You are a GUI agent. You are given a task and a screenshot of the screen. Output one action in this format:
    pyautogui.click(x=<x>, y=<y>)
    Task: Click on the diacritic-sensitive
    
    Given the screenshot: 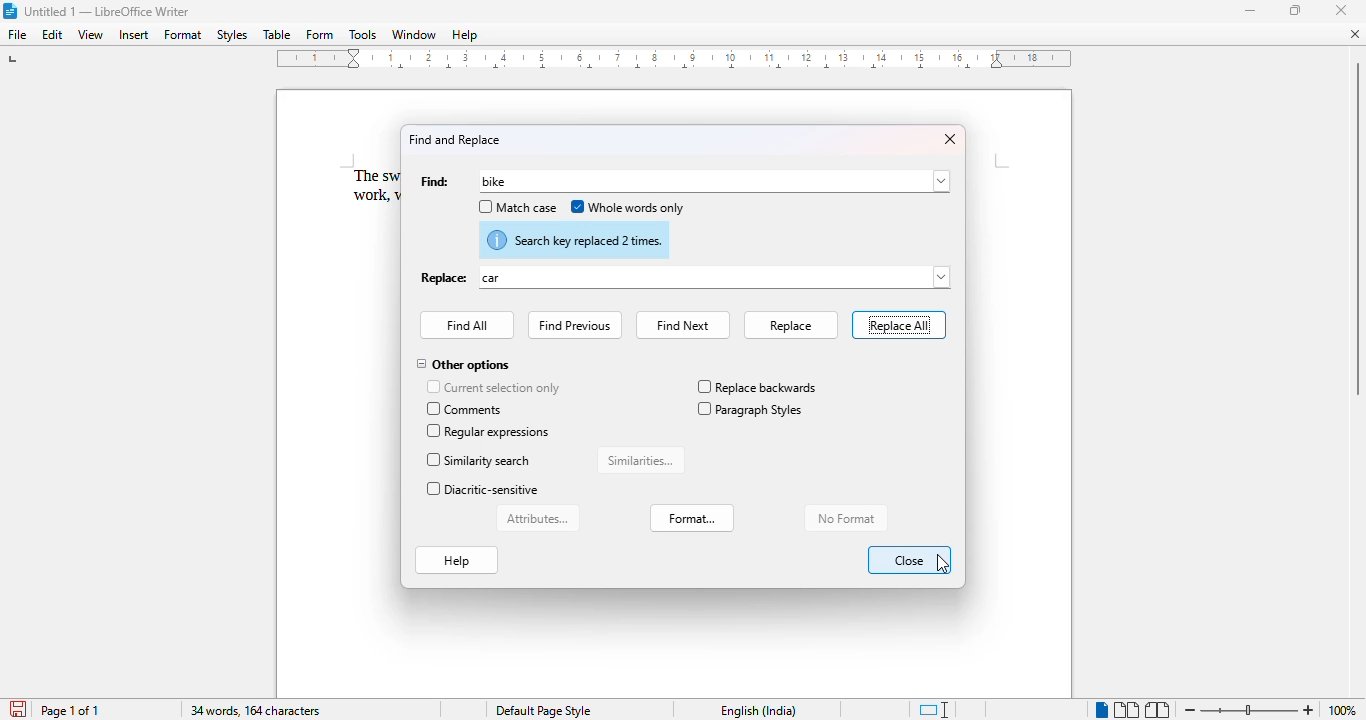 What is the action you would take?
    pyautogui.click(x=483, y=490)
    